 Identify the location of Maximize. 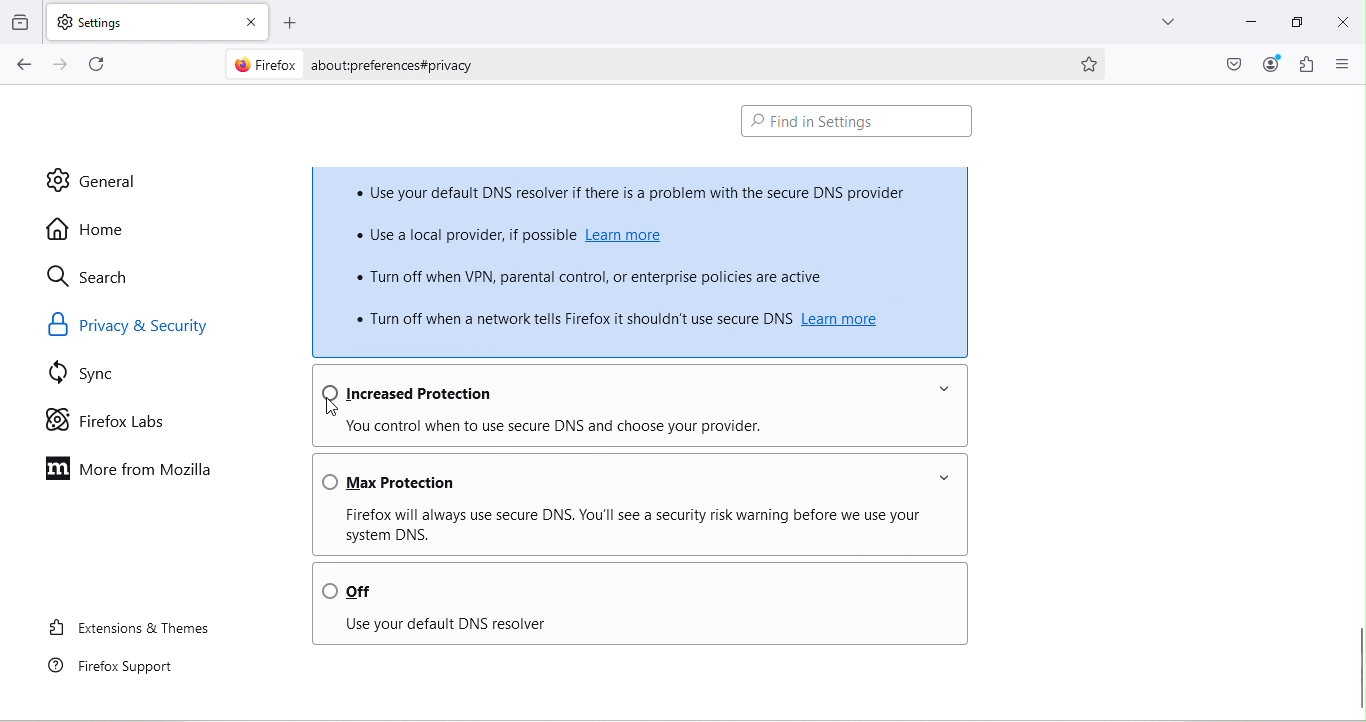
(1295, 23).